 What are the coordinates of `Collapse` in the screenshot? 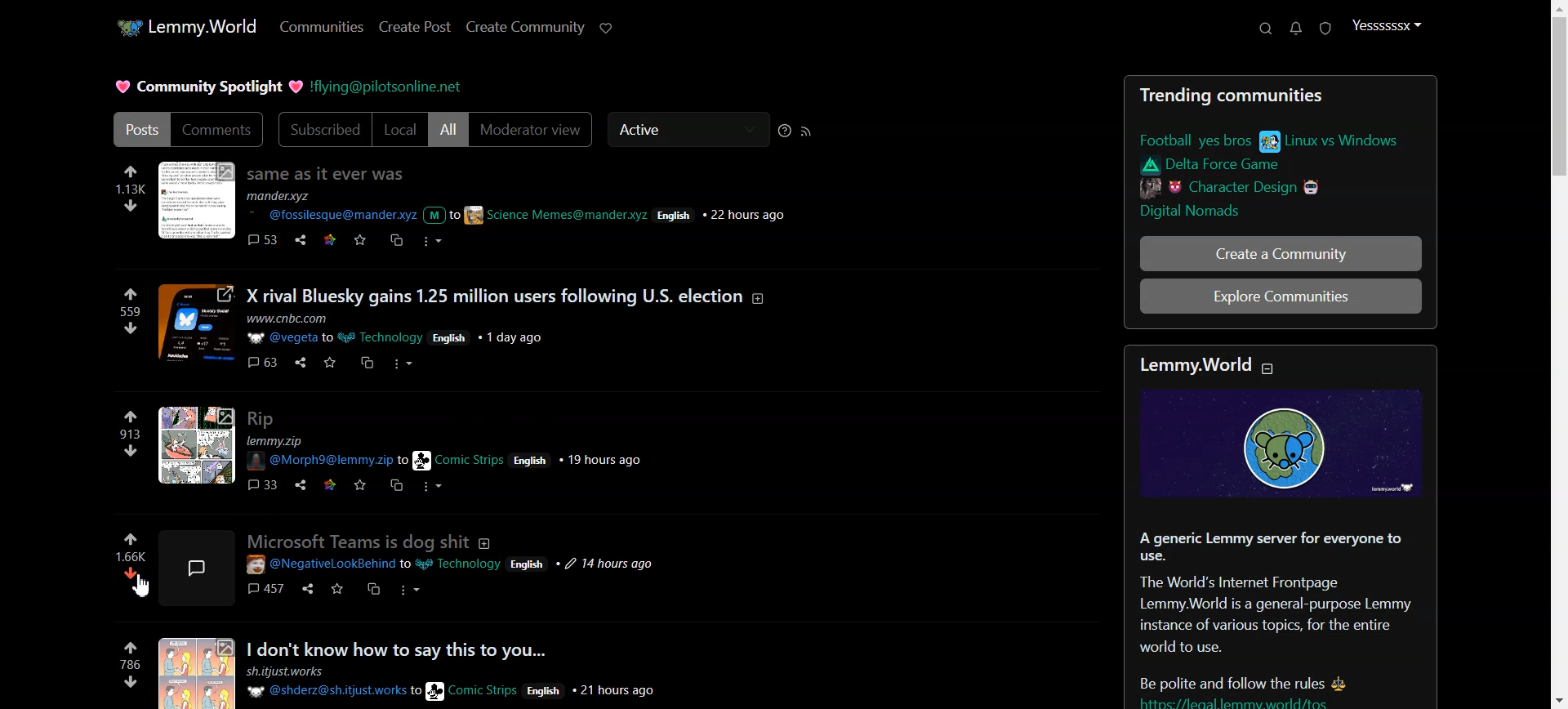 It's located at (1267, 368).